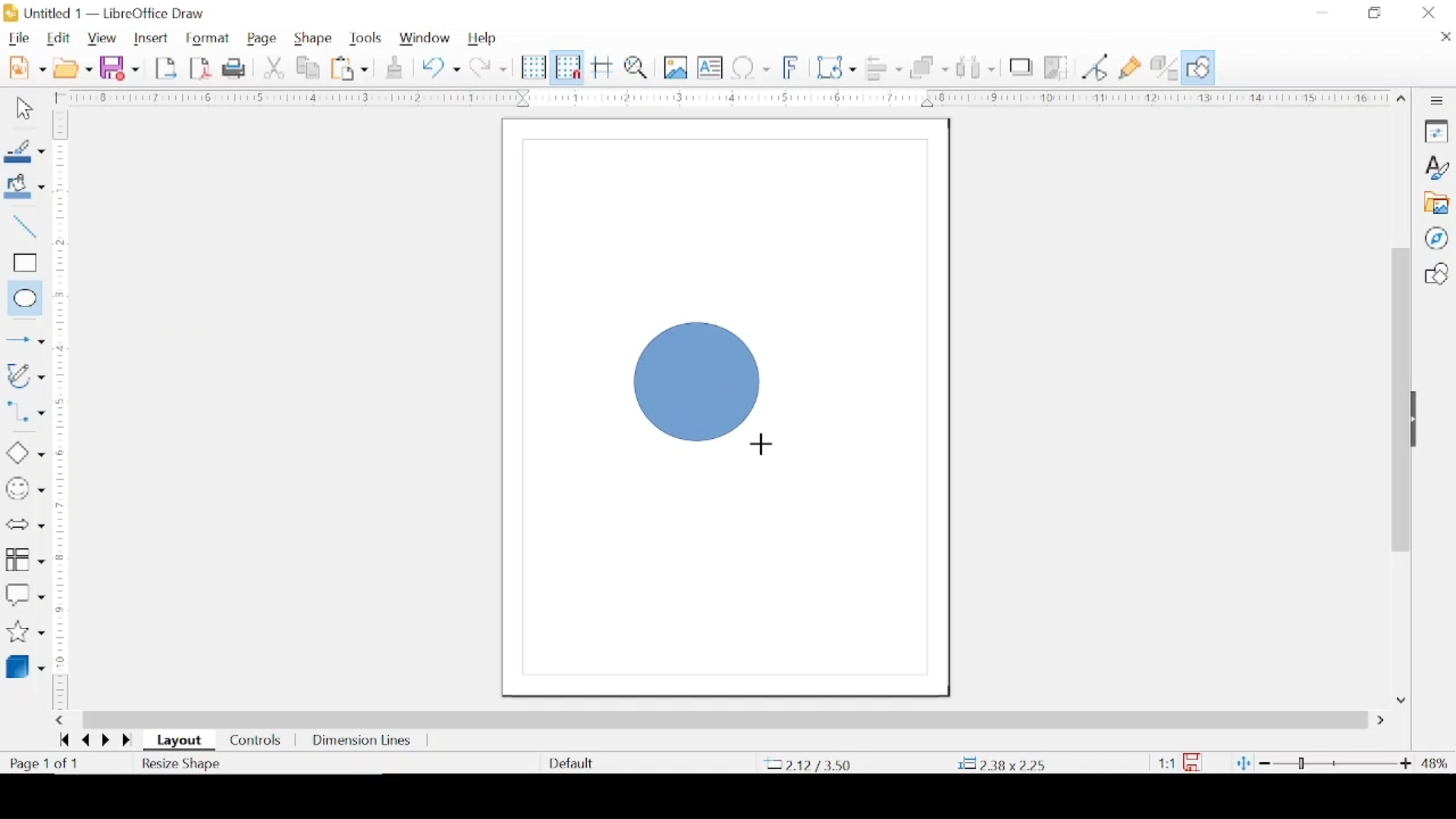 The height and width of the screenshot is (819, 1456). Describe the element at coordinates (25, 489) in the screenshot. I see `symbol shapes` at that location.